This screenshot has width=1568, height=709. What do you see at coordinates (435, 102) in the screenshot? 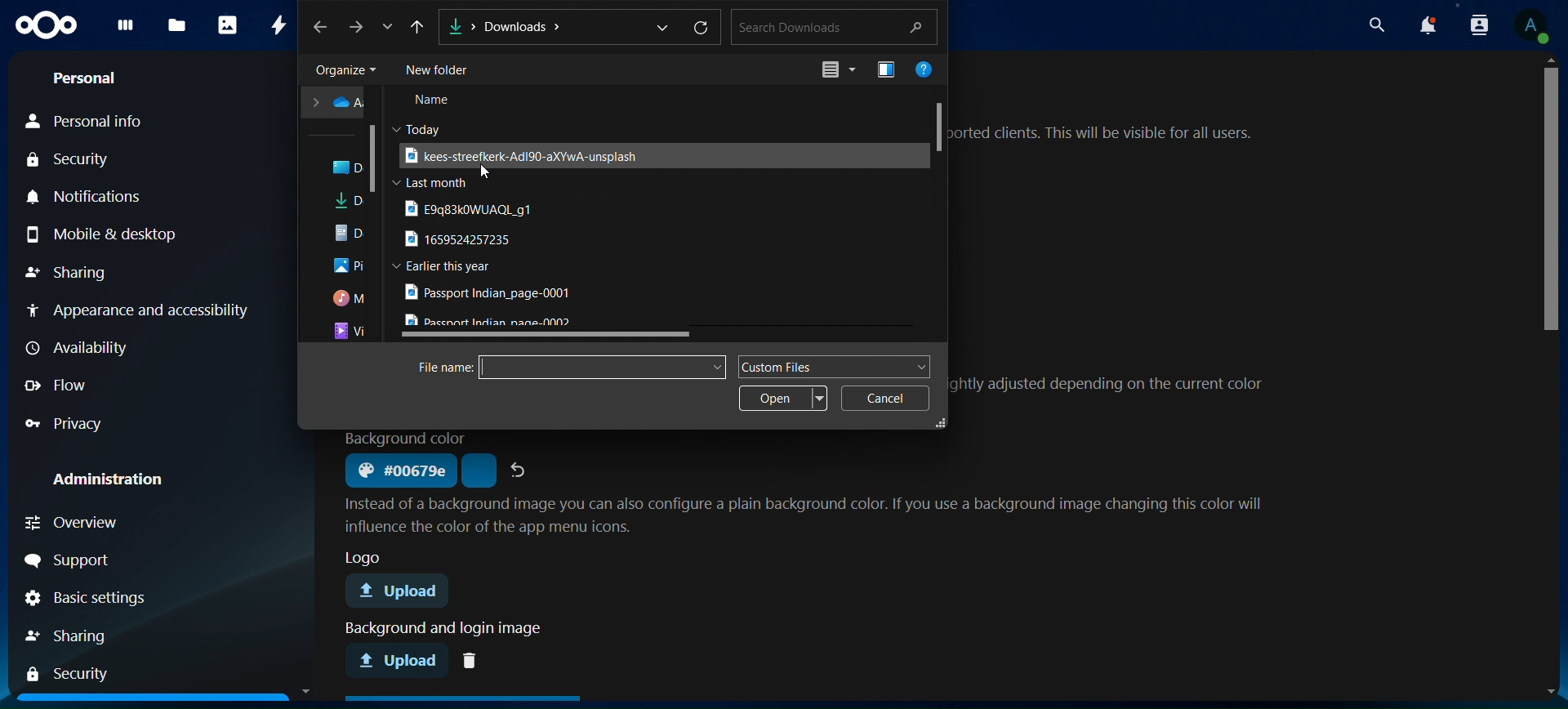
I see `name` at bounding box center [435, 102].